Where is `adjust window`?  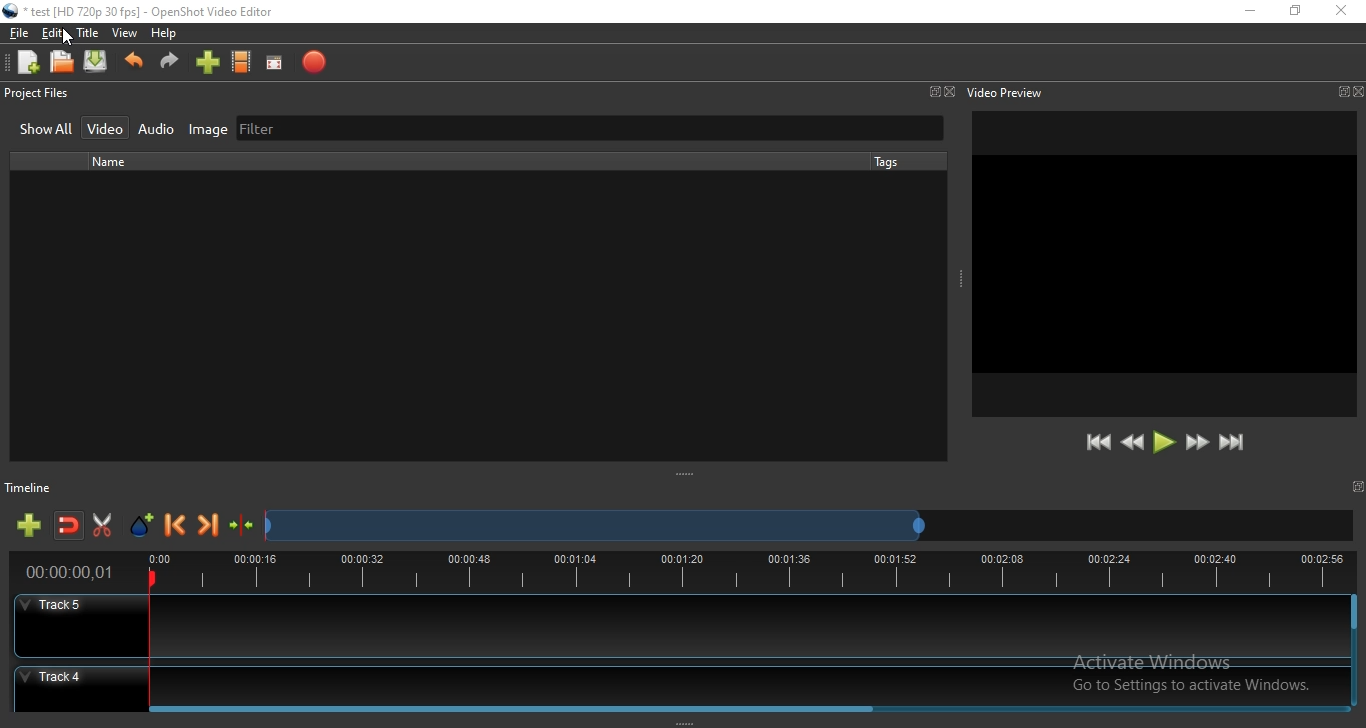
adjust window is located at coordinates (680, 720).